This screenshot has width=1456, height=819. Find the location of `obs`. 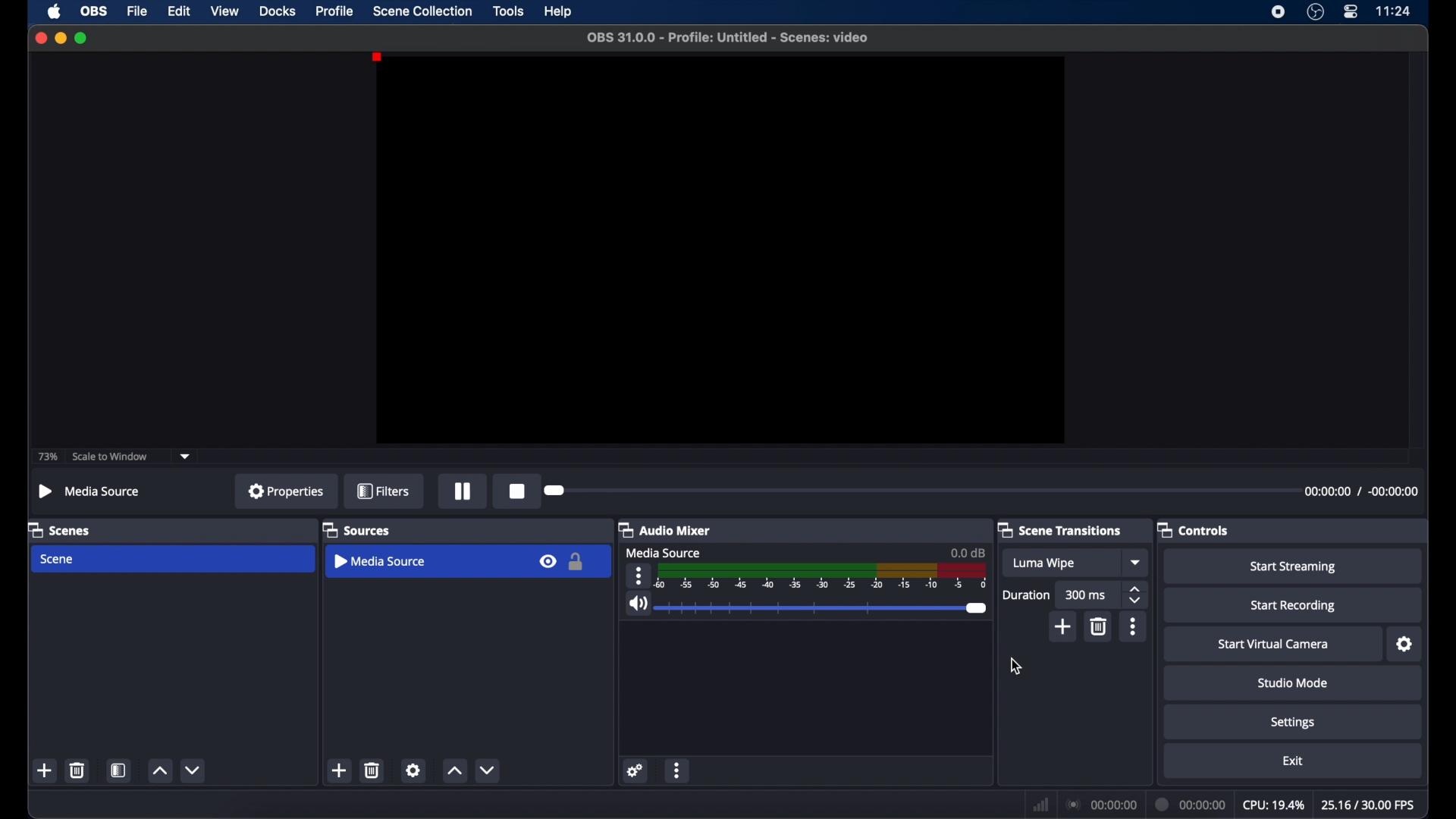

obs is located at coordinates (96, 11).